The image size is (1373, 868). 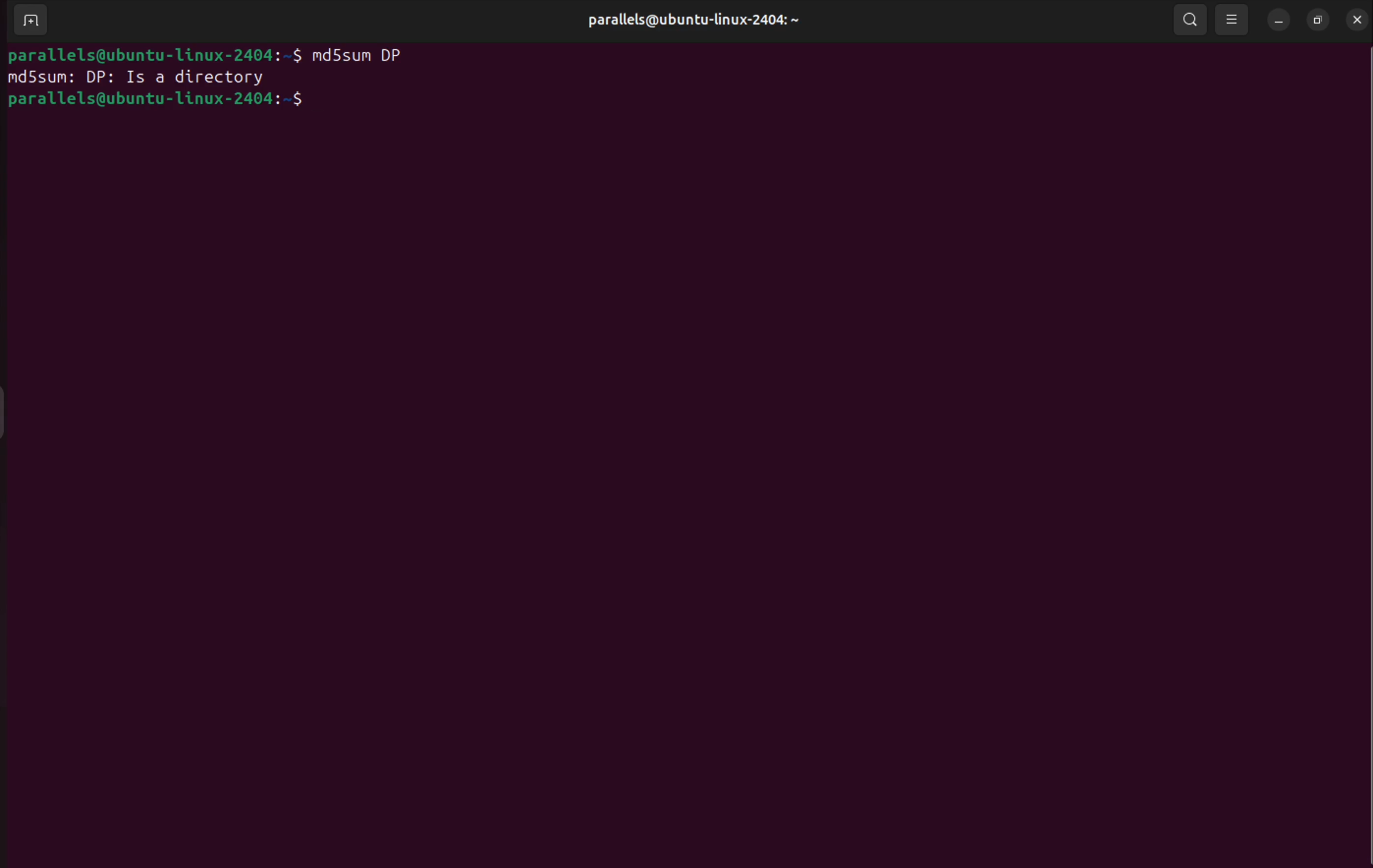 What do you see at coordinates (369, 56) in the screenshot?
I see `md5sum filename` at bounding box center [369, 56].